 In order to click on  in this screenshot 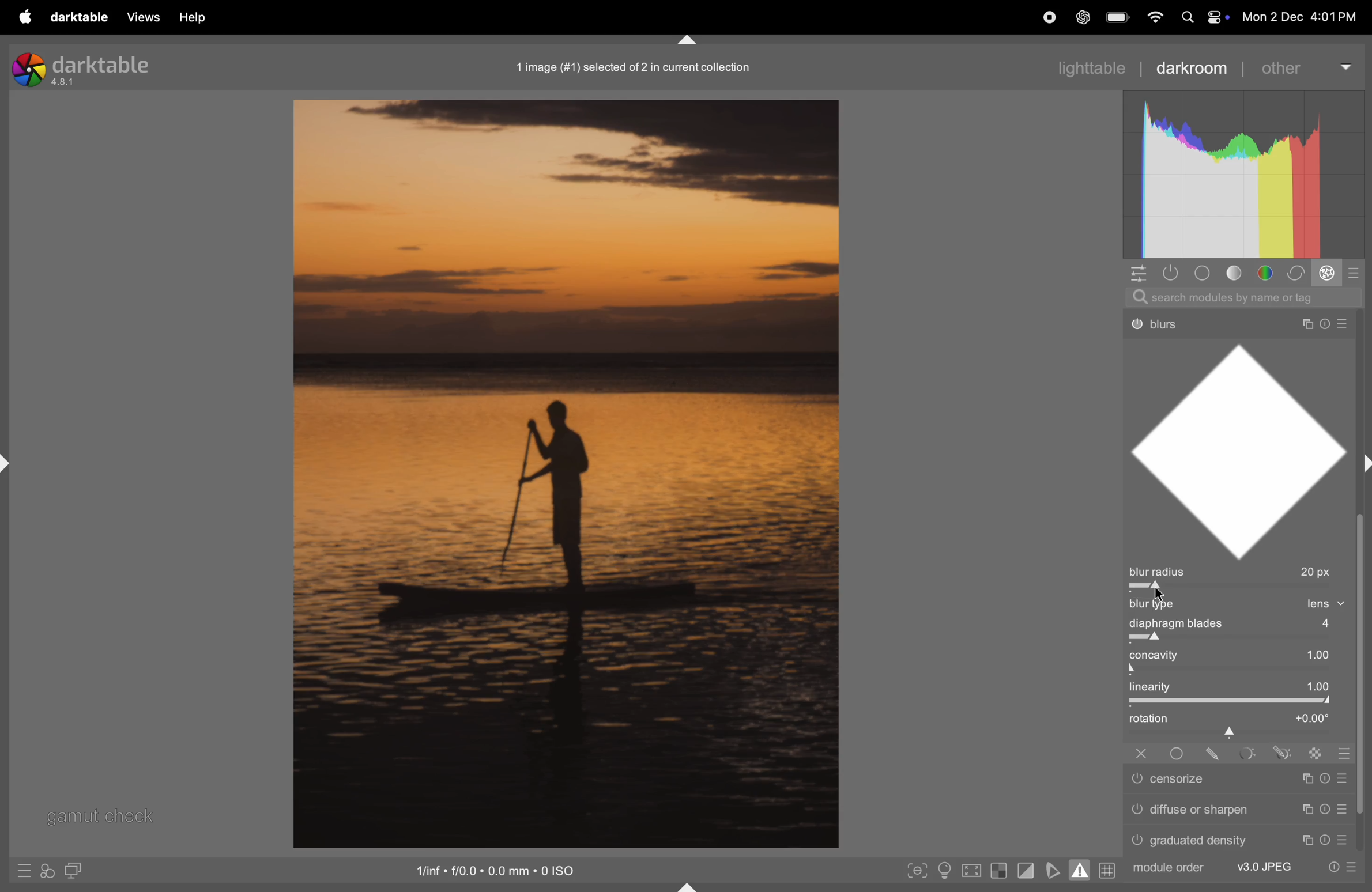, I will do `click(1213, 753)`.